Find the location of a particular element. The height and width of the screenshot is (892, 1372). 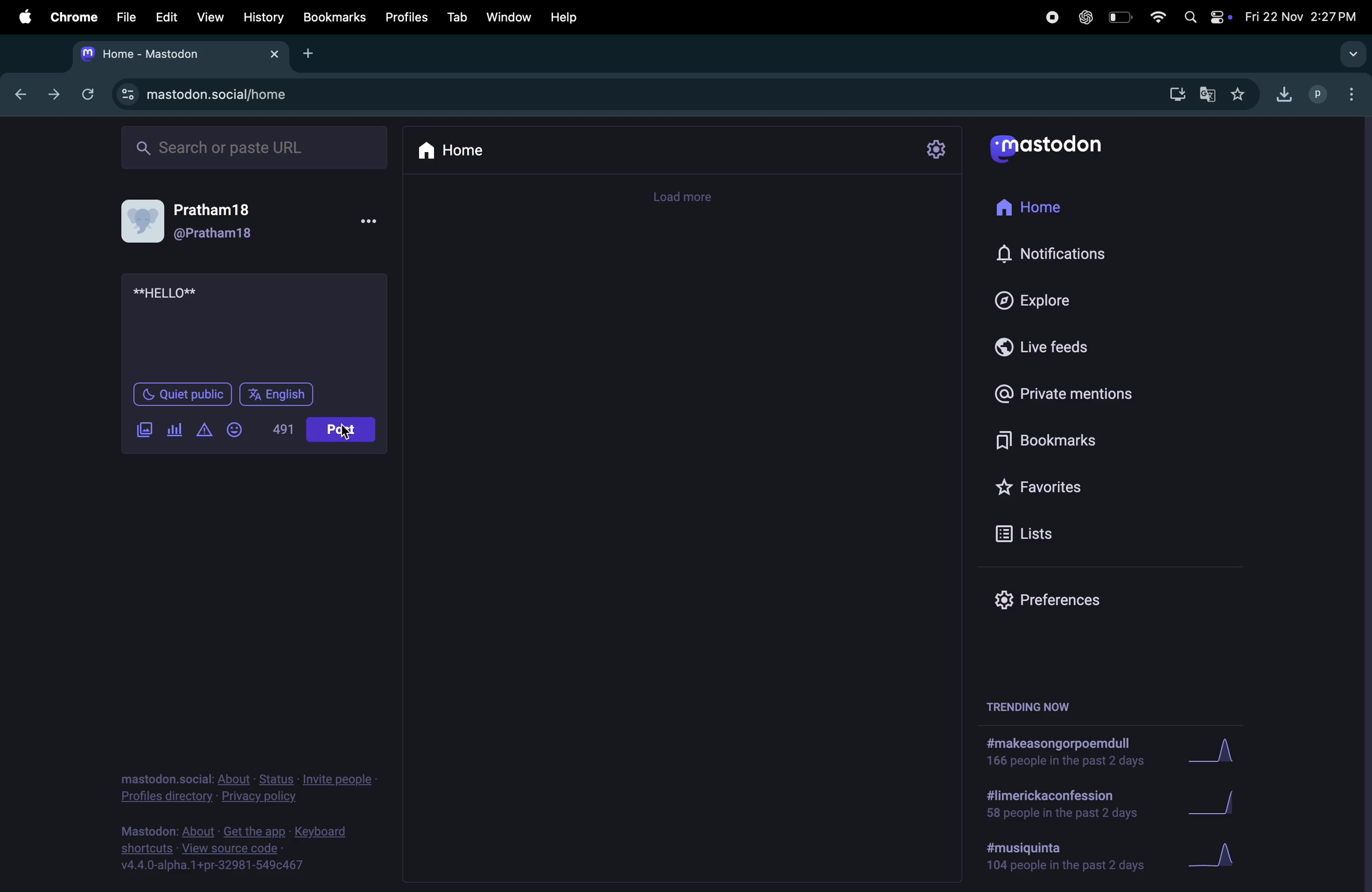

downloads is located at coordinates (1284, 92).